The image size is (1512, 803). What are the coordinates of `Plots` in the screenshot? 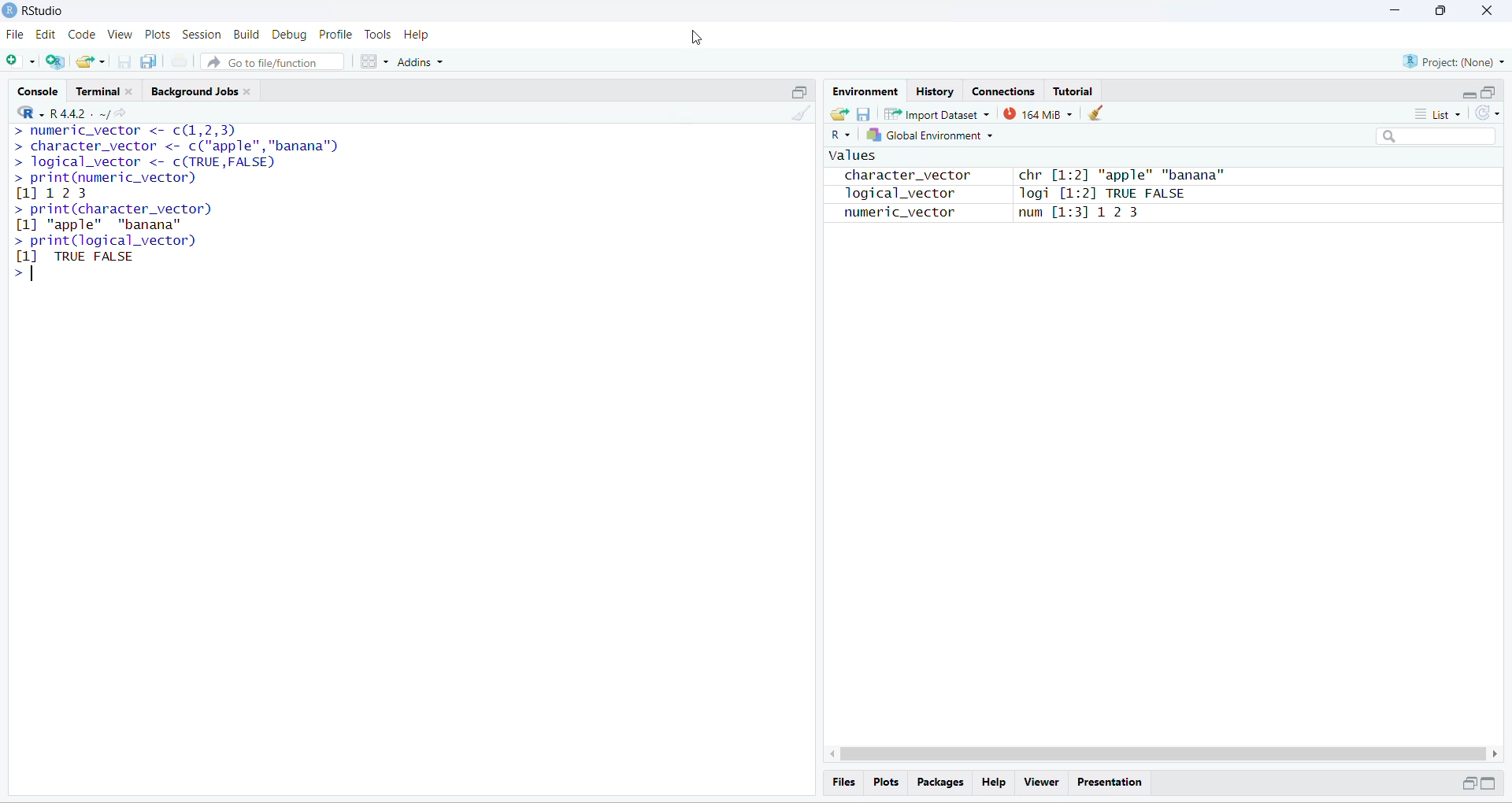 It's located at (884, 781).